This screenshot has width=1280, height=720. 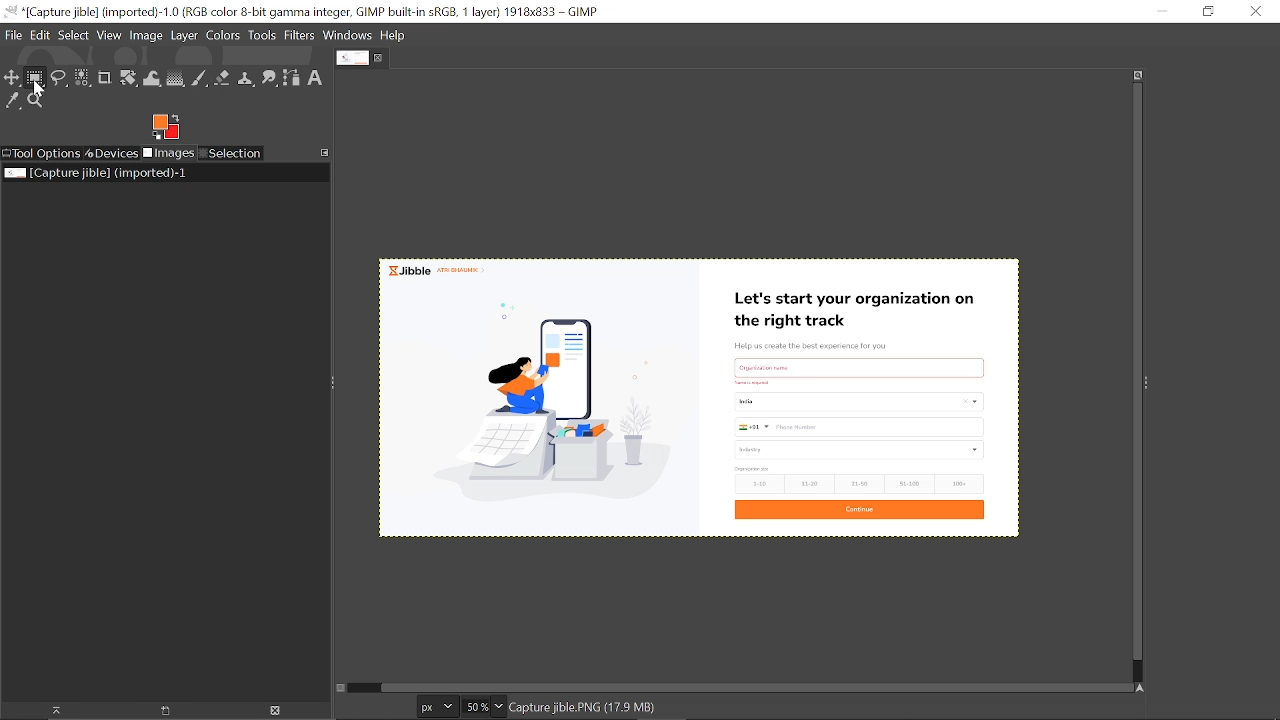 What do you see at coordinates (110, 35) in the screenshot?
I see `View` at bounding box center [110, 35].